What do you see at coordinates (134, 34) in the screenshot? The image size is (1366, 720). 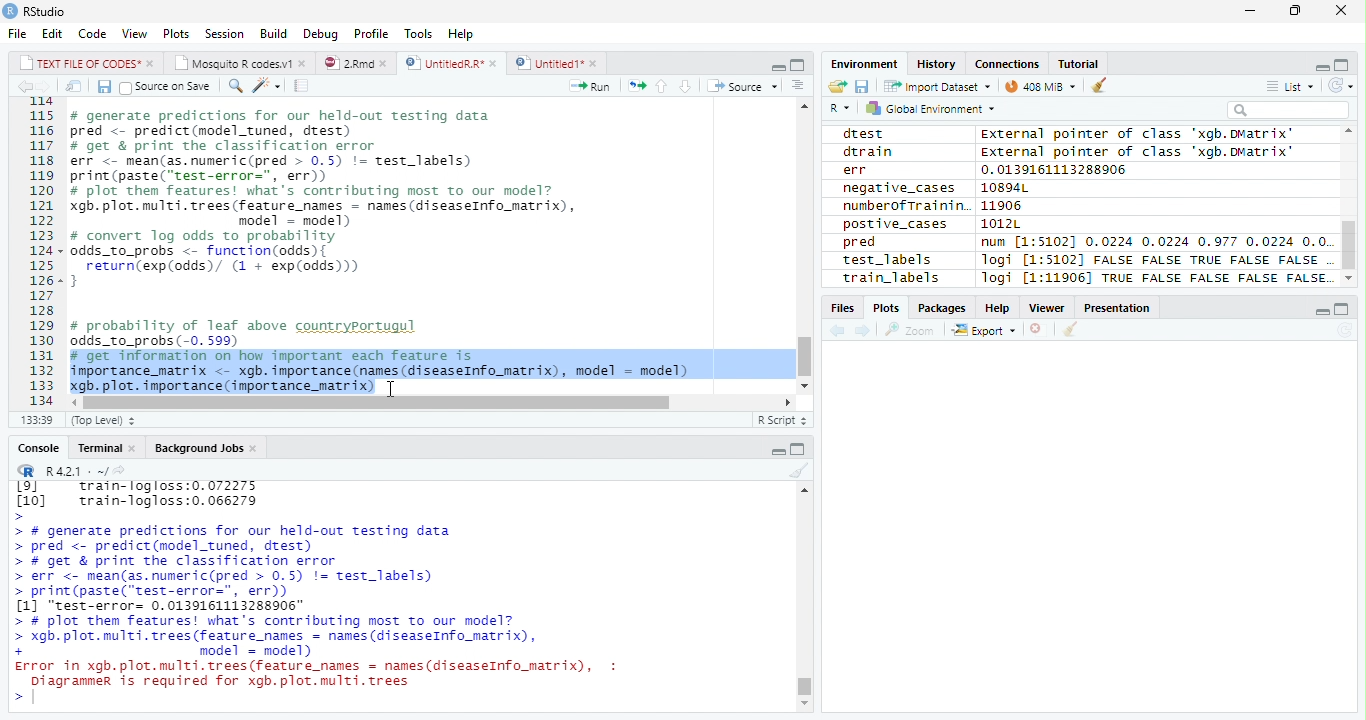 I see `View` at bounding box center [134, 34].